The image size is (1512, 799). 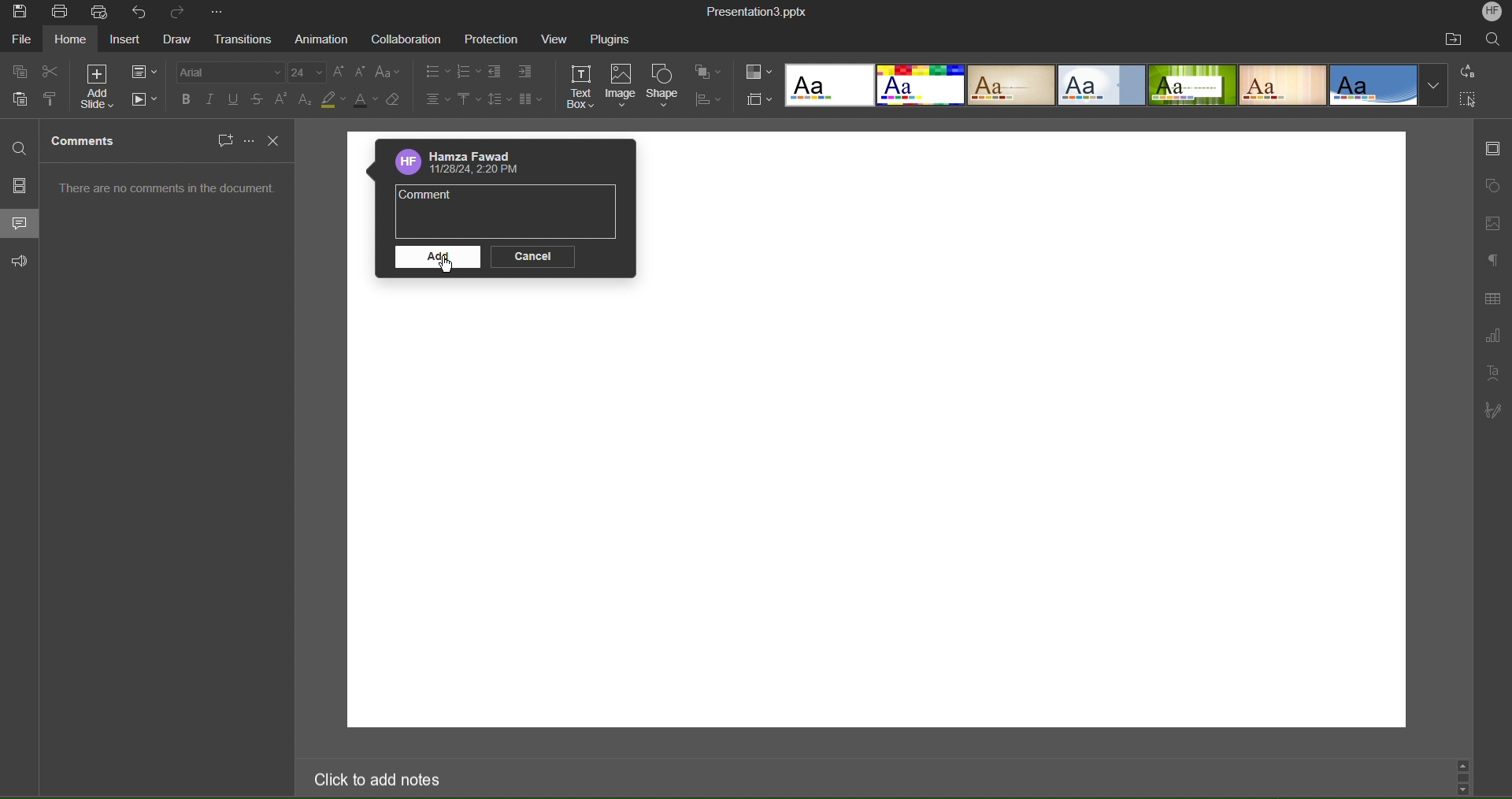 What do you see at coordinates (22, 262) in the screenshot?
I see `Feedback and Support` at bounding box center [22, 262].